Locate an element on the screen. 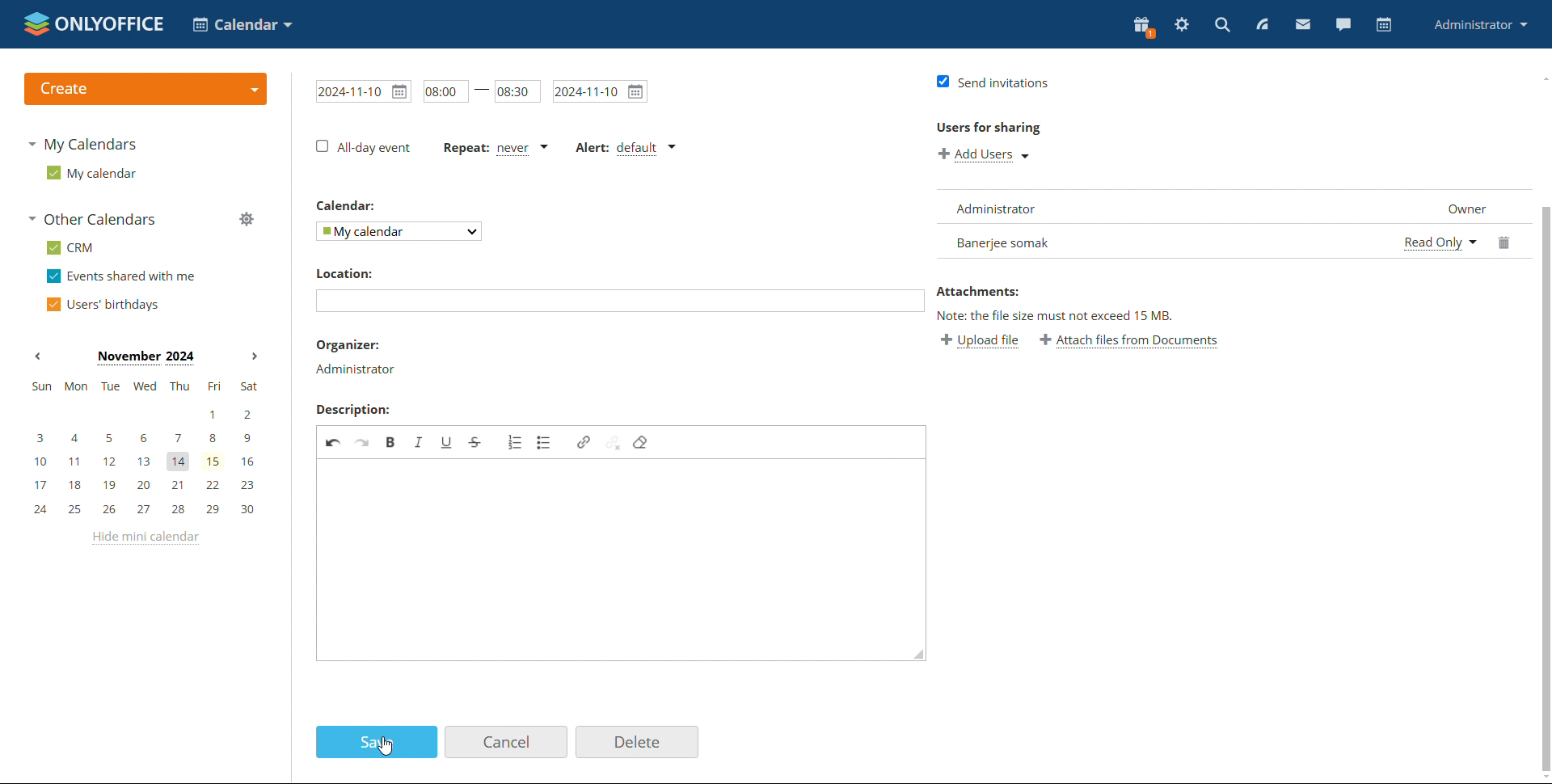  administrator is located at coordinates (1002, 205).